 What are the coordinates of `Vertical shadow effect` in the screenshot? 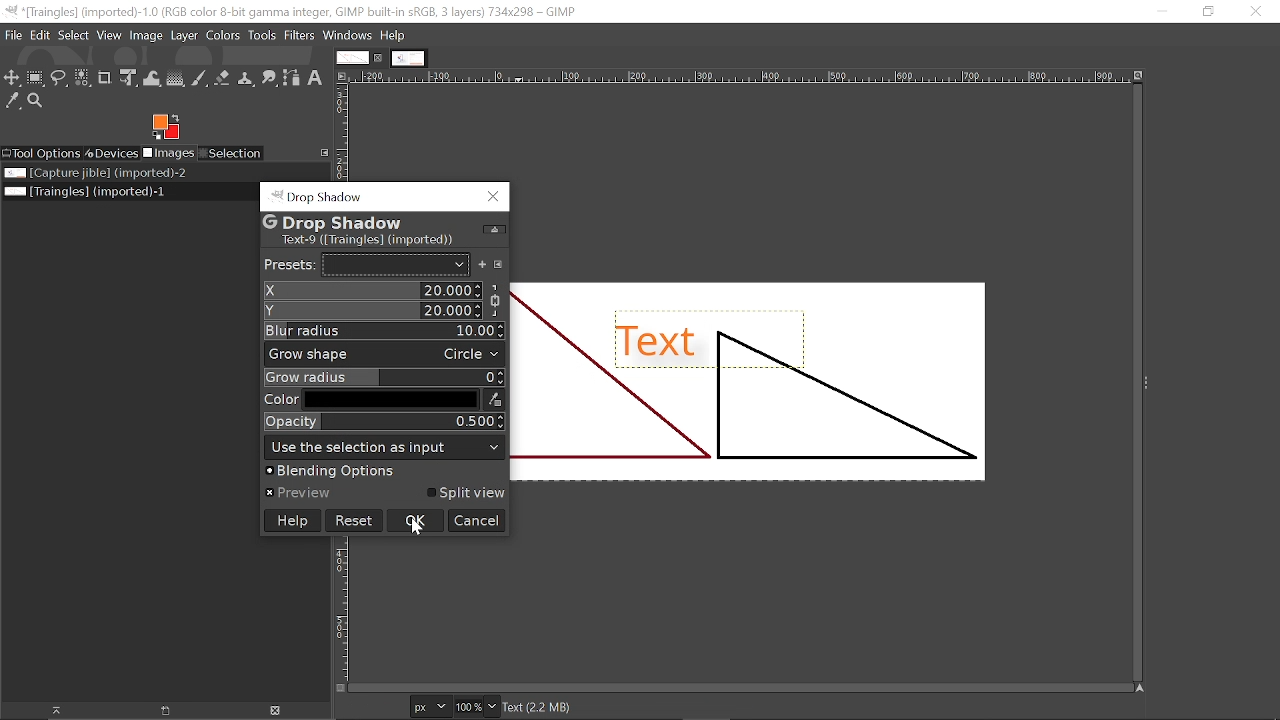 It's located at (372, 311).